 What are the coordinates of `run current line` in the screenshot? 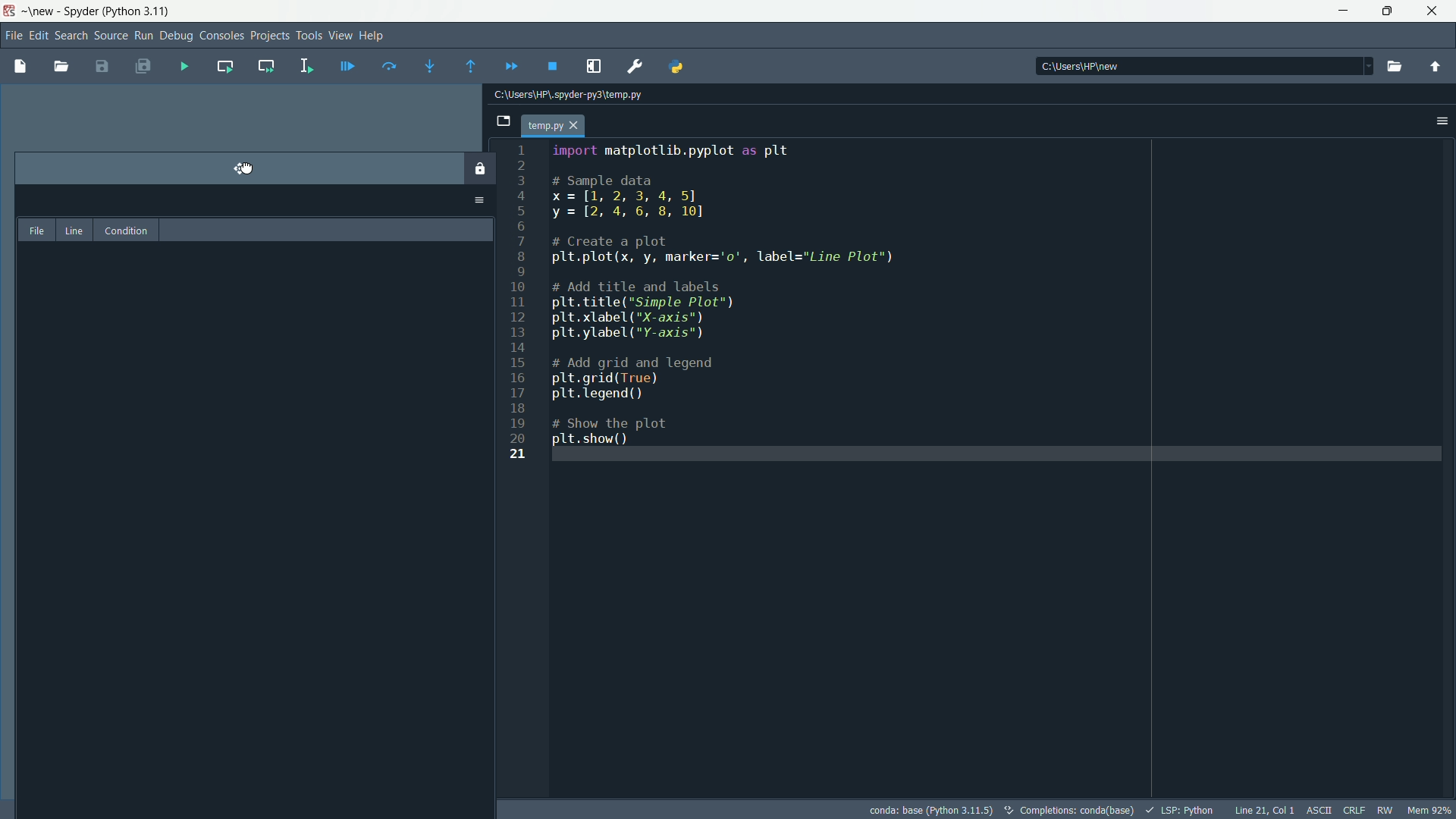 It's located at (386, 65).